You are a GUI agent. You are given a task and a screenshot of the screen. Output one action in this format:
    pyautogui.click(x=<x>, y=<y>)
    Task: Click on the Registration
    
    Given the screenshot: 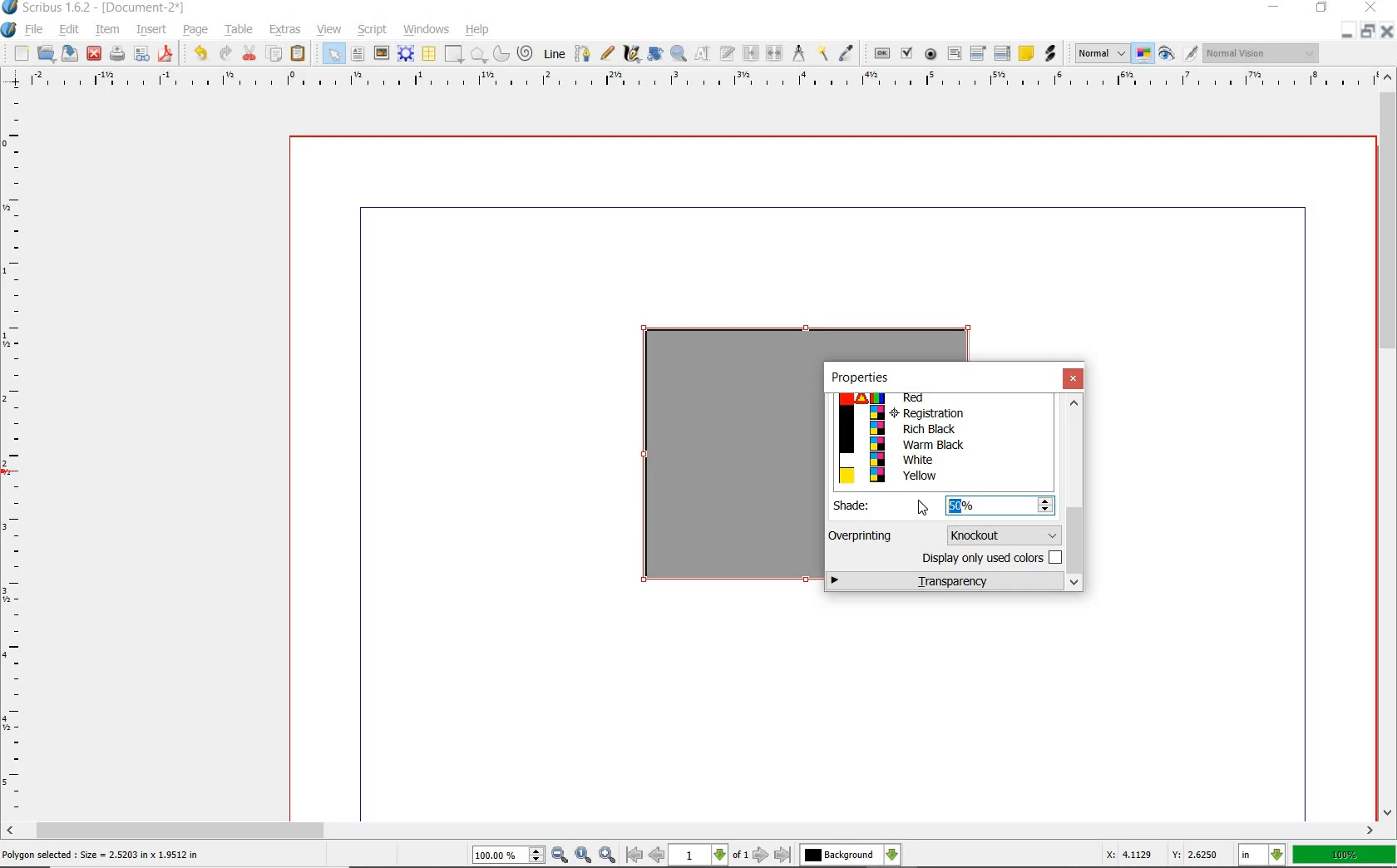 What is the action you would take?
    pyautogui.click(x=941, y=413)
    